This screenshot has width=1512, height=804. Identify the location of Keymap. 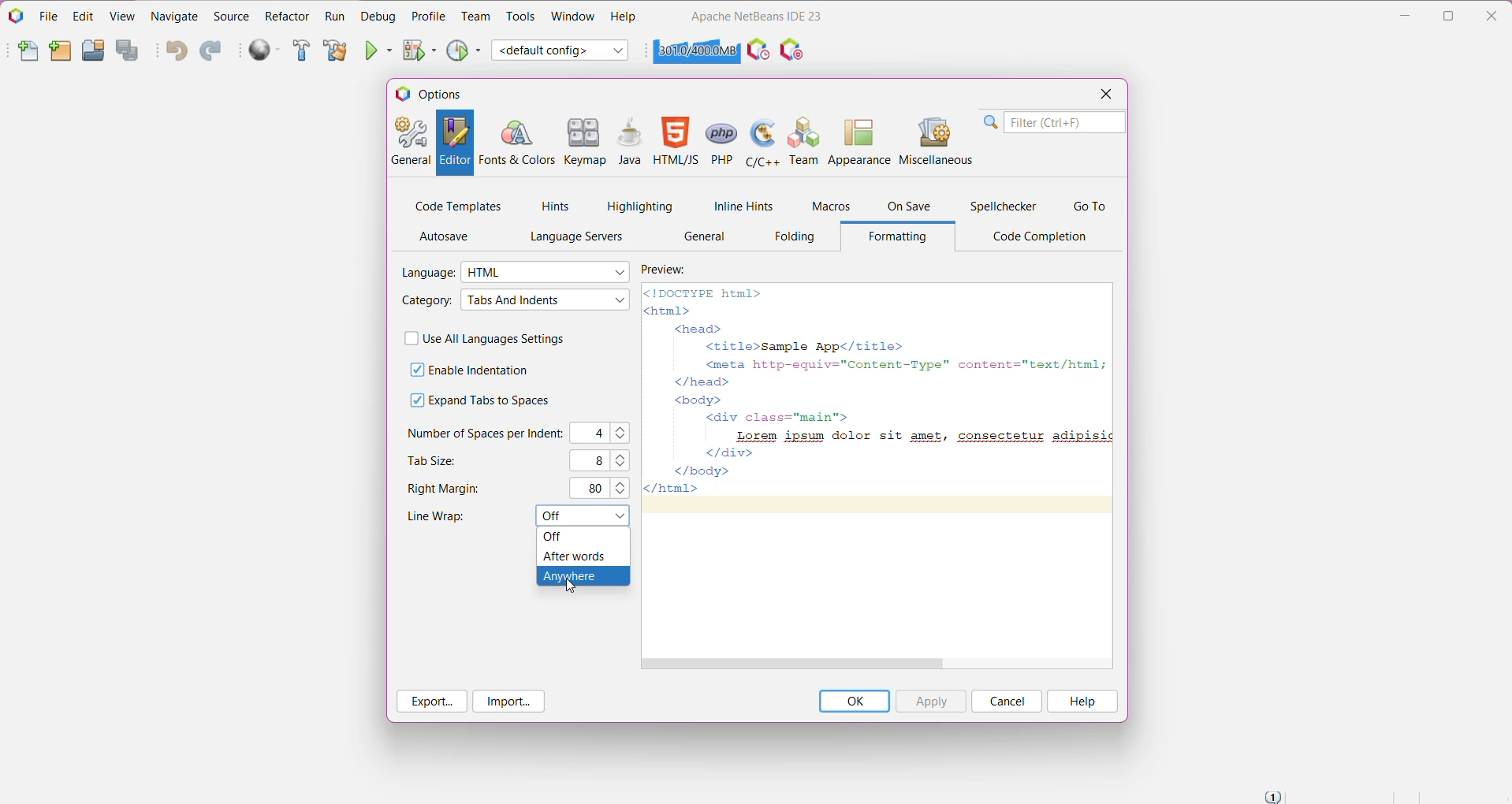
(586, 143).